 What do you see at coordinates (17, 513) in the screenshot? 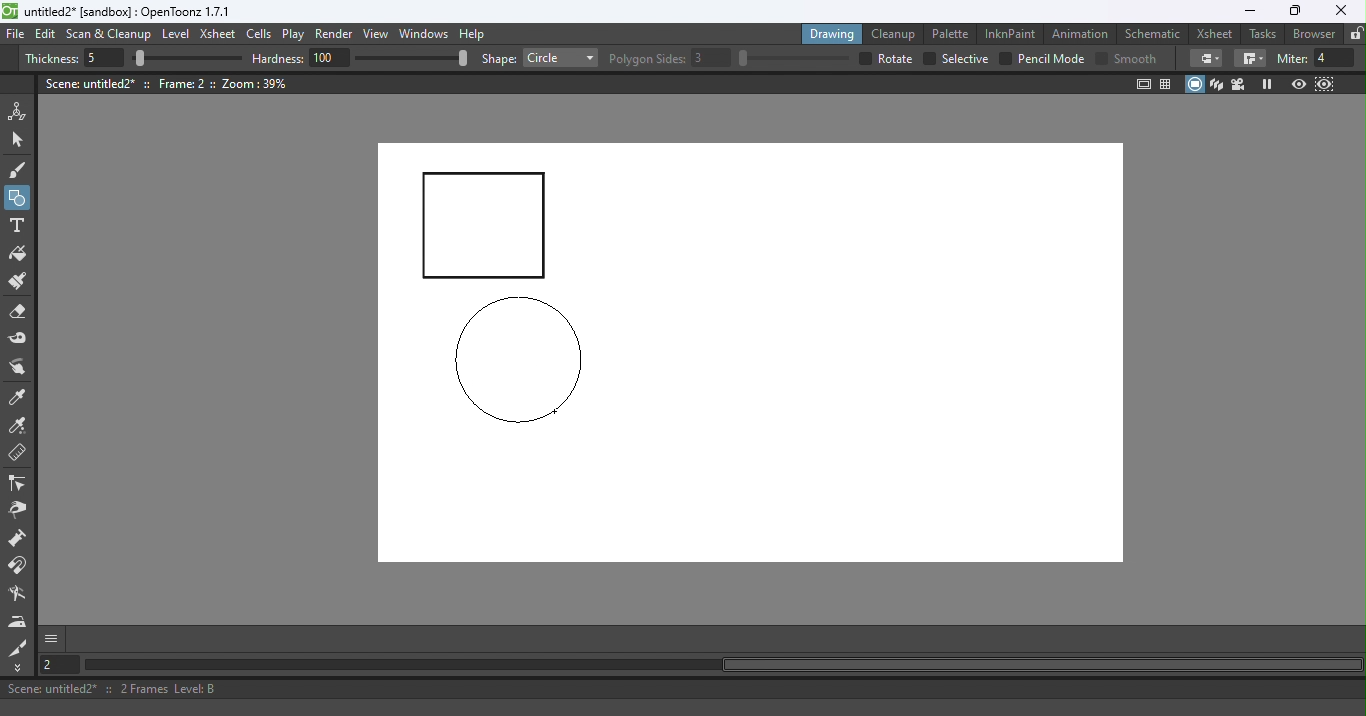
I see `Pinch tool` at bounding box center [17, 513].